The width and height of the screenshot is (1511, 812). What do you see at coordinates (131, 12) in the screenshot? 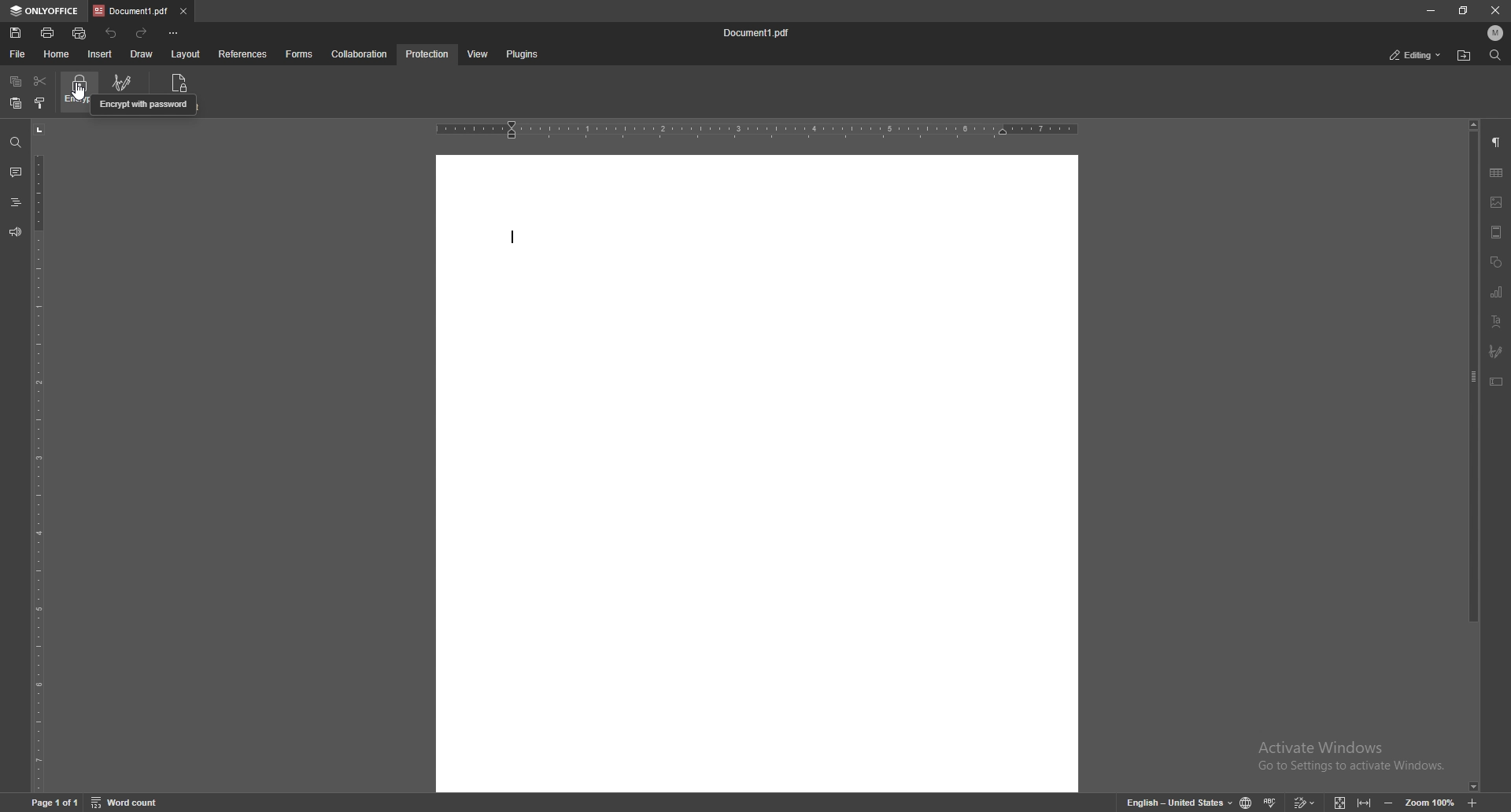
I see `tab` at bounding box center [131, 12].